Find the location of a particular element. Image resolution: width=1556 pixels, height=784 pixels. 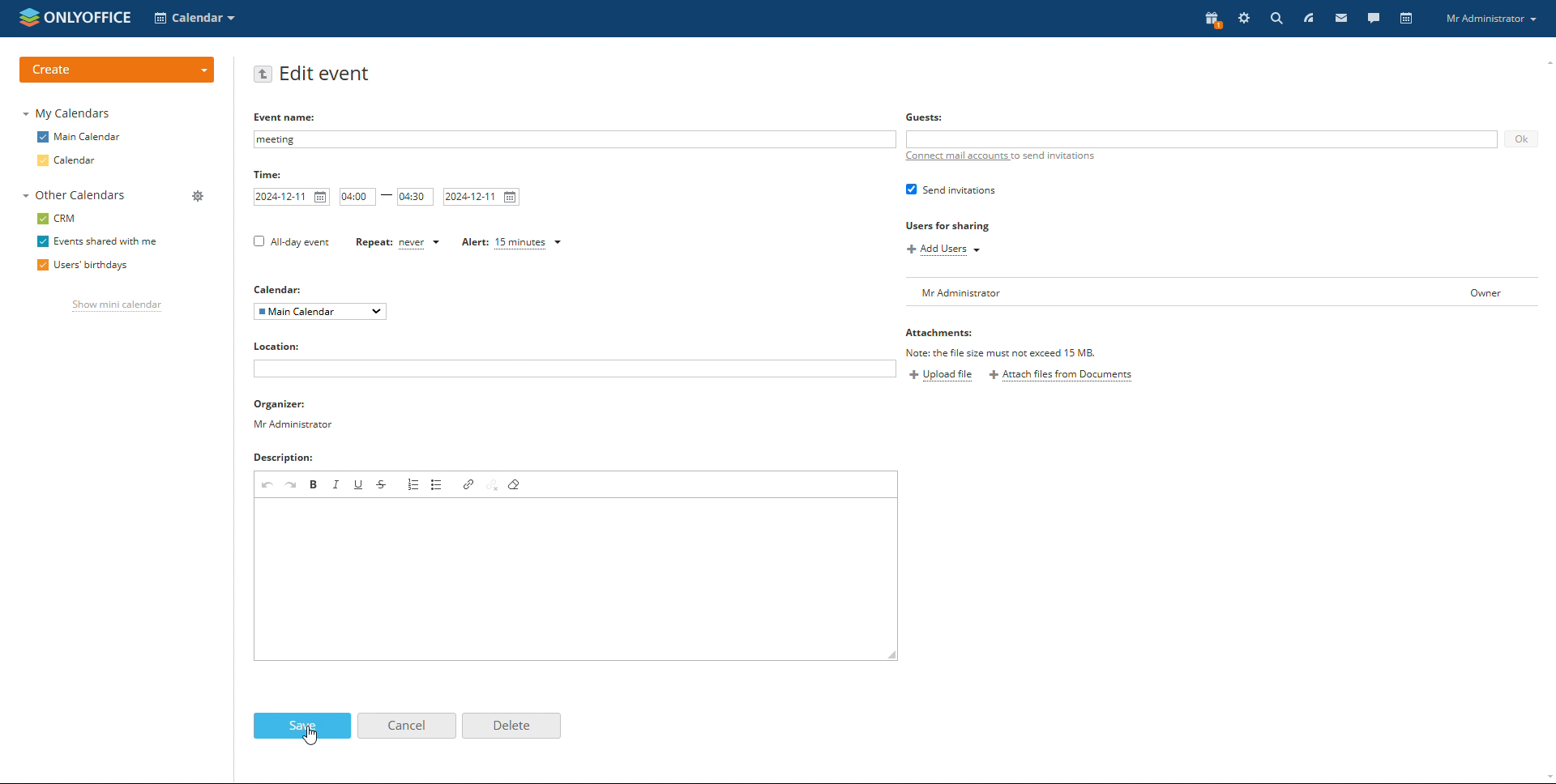

Users for sharing is located at coordinates (948, 225).